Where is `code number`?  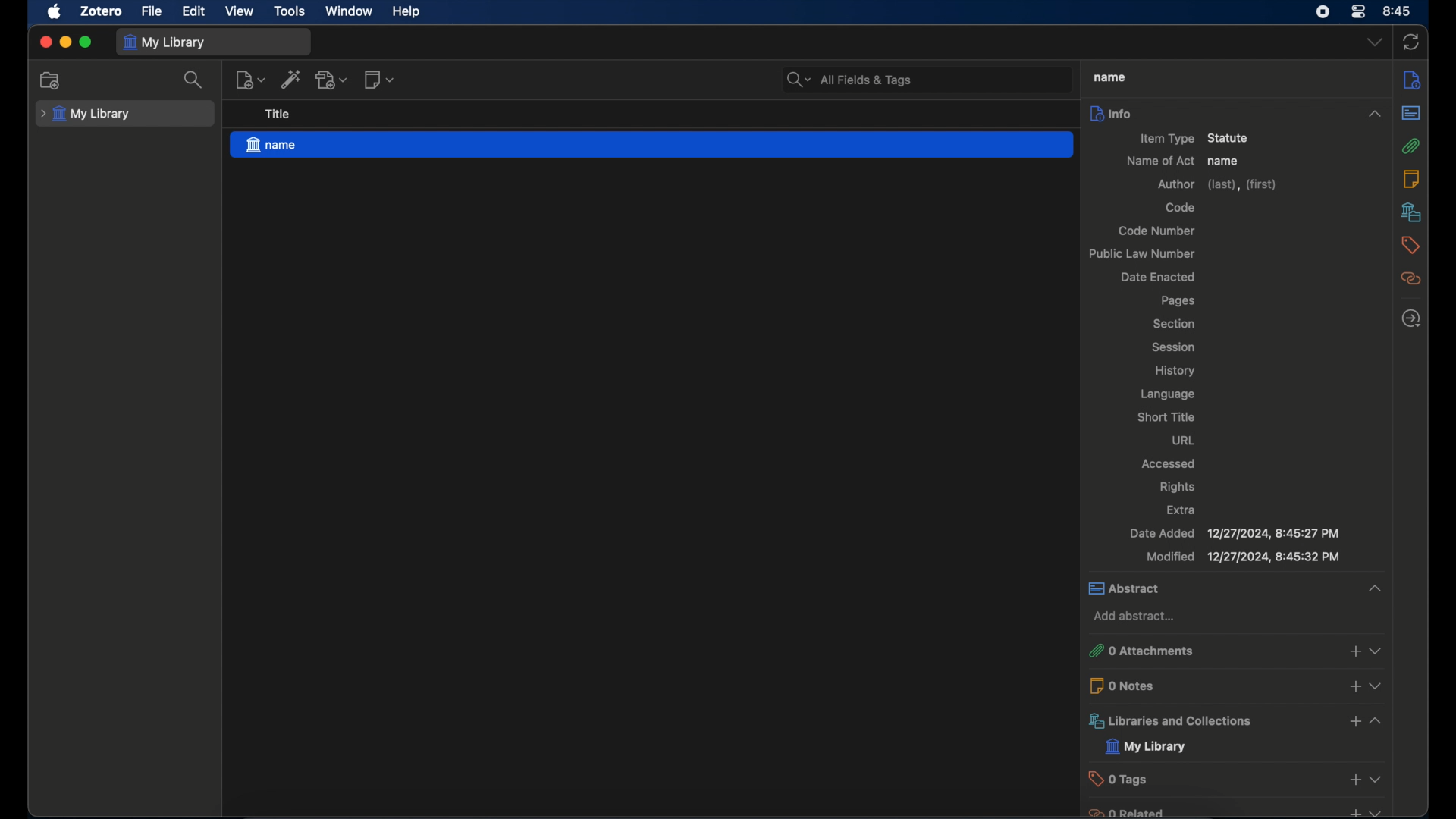 code number is located at coordinates (1156, 231).